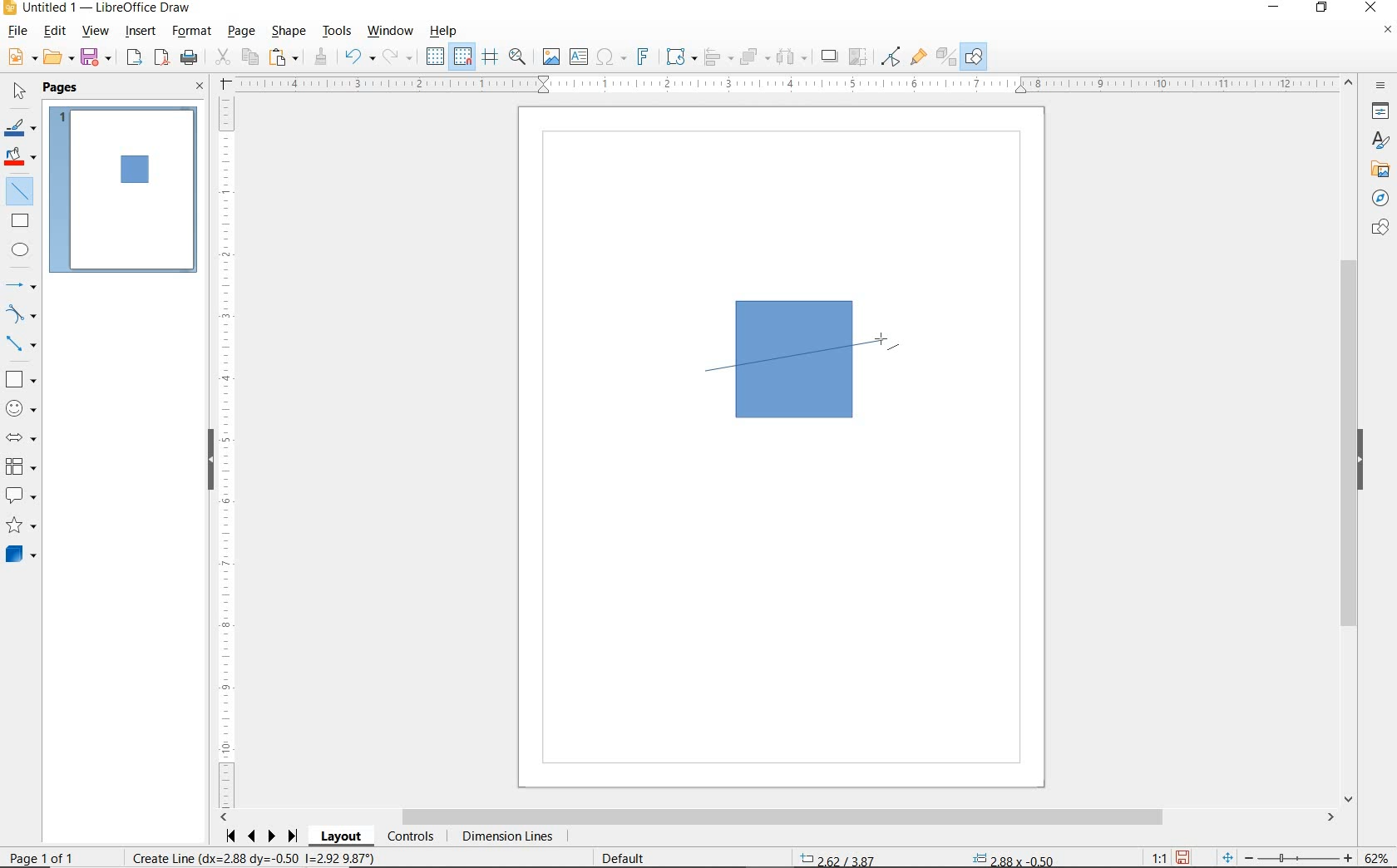 This screenshot has width=1397, height=868. I want to click on HELP, so click(447, 31).